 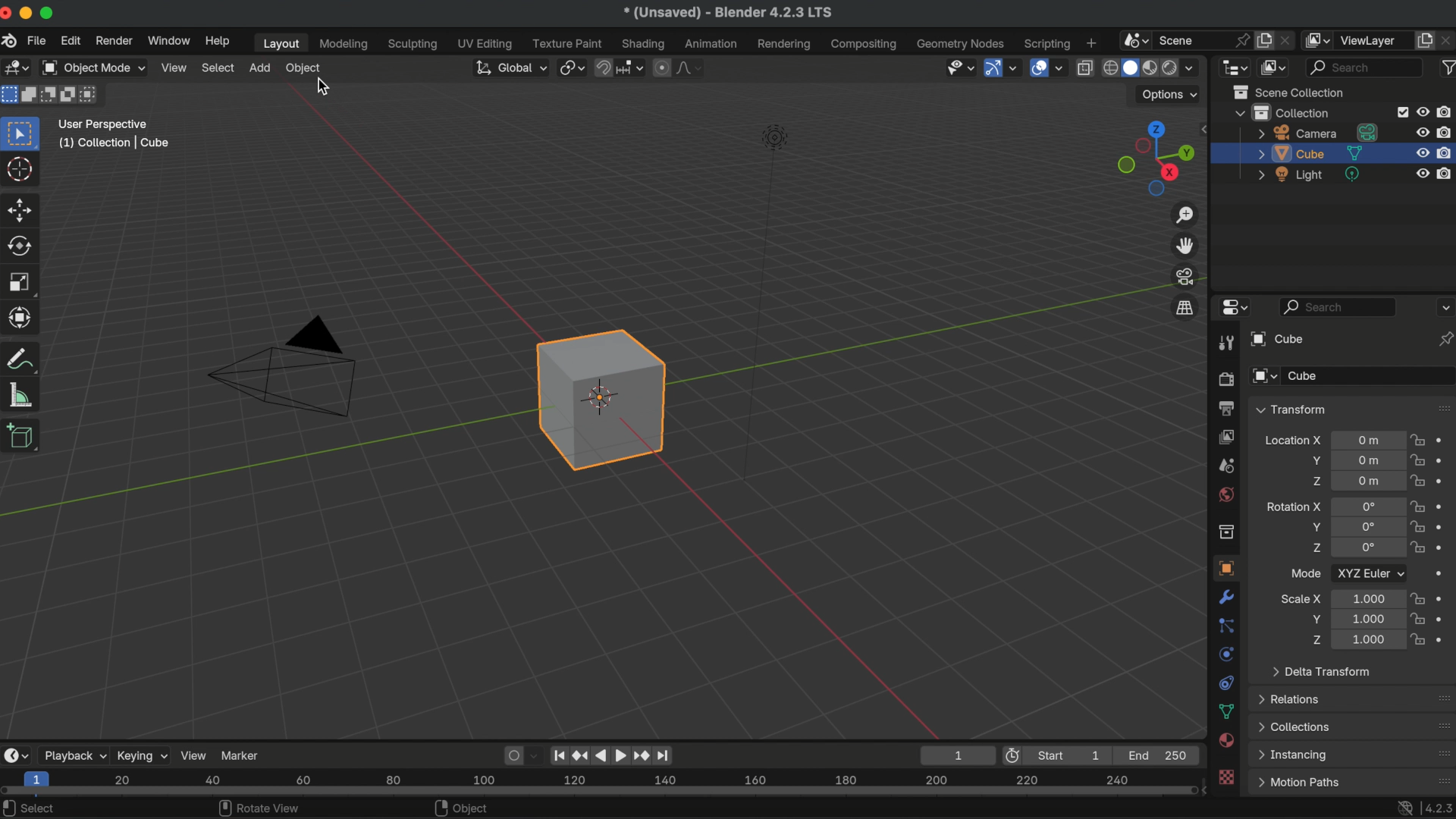 What do you see at coordinates (1421, 153) in the screenshot?
I see `hide in viewport` at bounding box center [1421, 153].